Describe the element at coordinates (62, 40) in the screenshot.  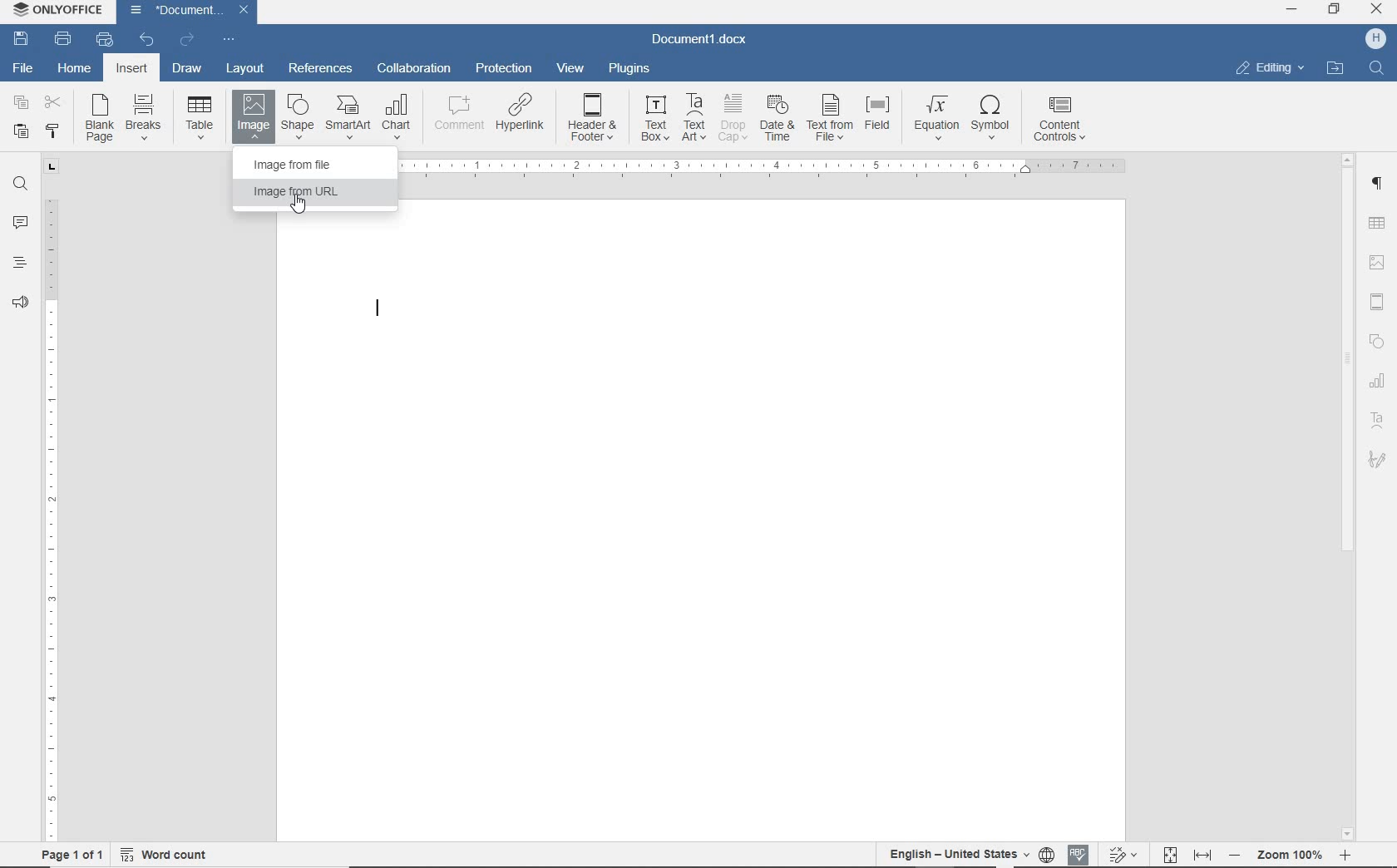
I see `print` at that location.